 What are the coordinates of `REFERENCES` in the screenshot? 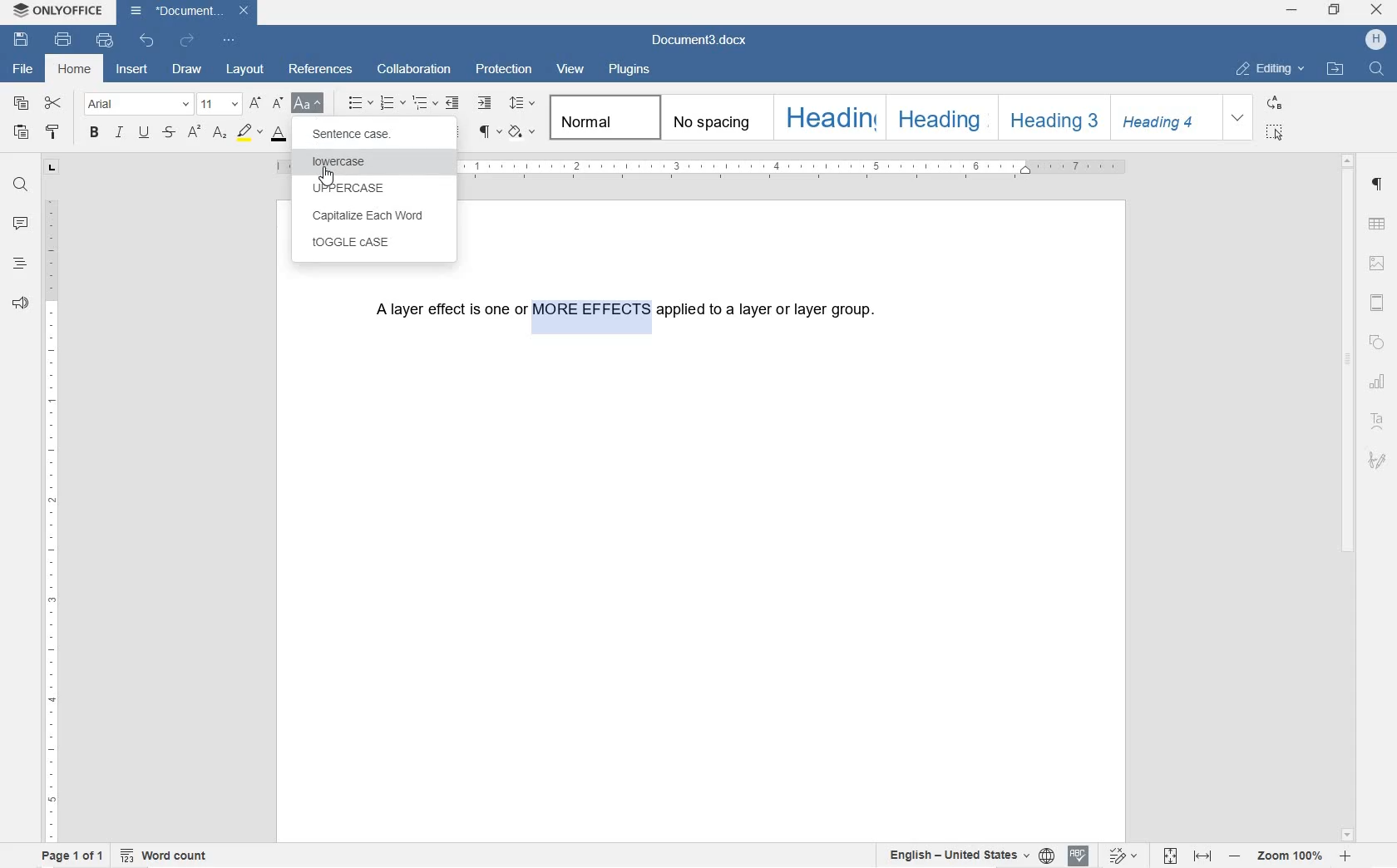 It's located at (323, 71).